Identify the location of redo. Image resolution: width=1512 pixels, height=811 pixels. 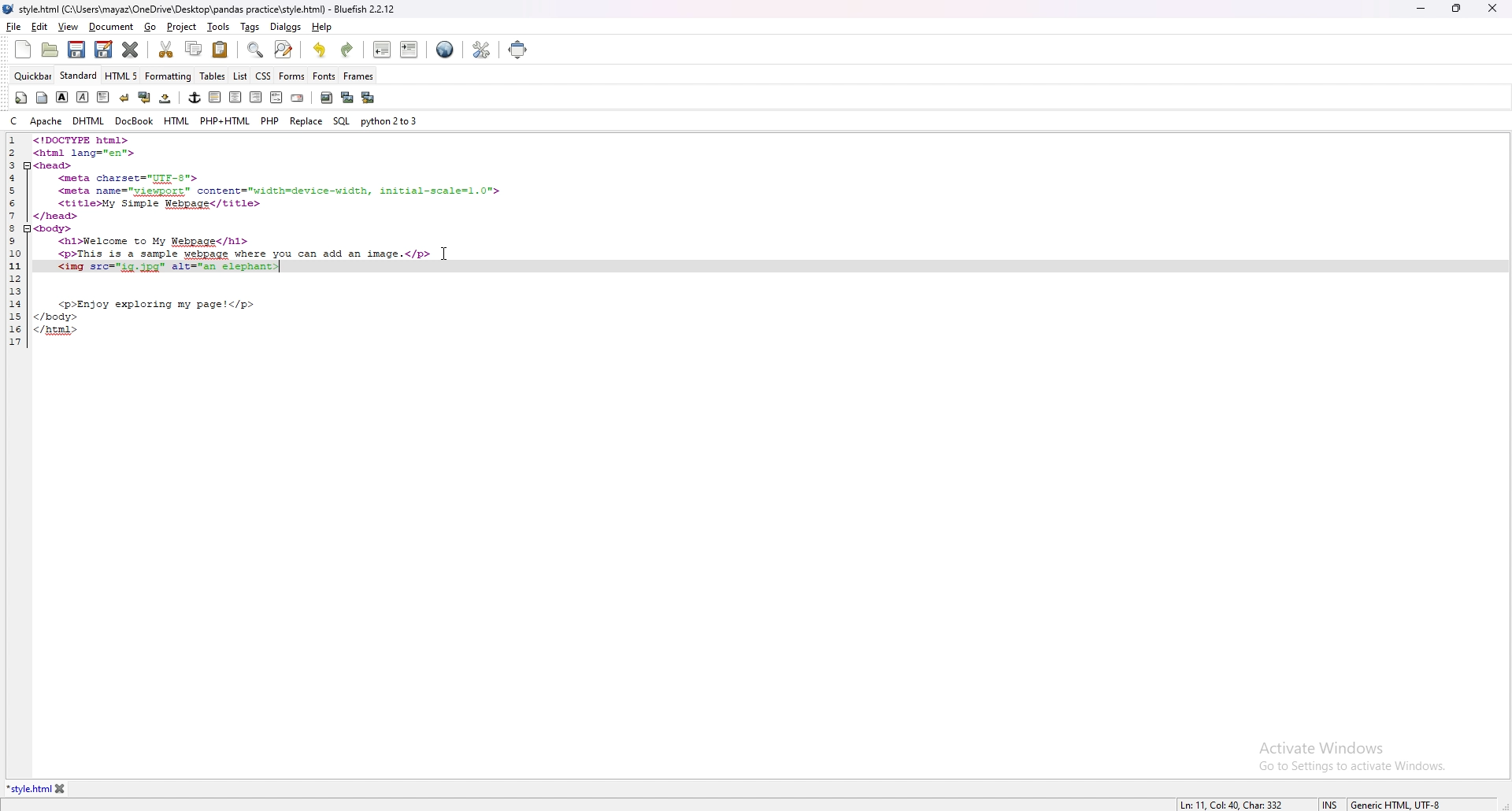
(348, 51).